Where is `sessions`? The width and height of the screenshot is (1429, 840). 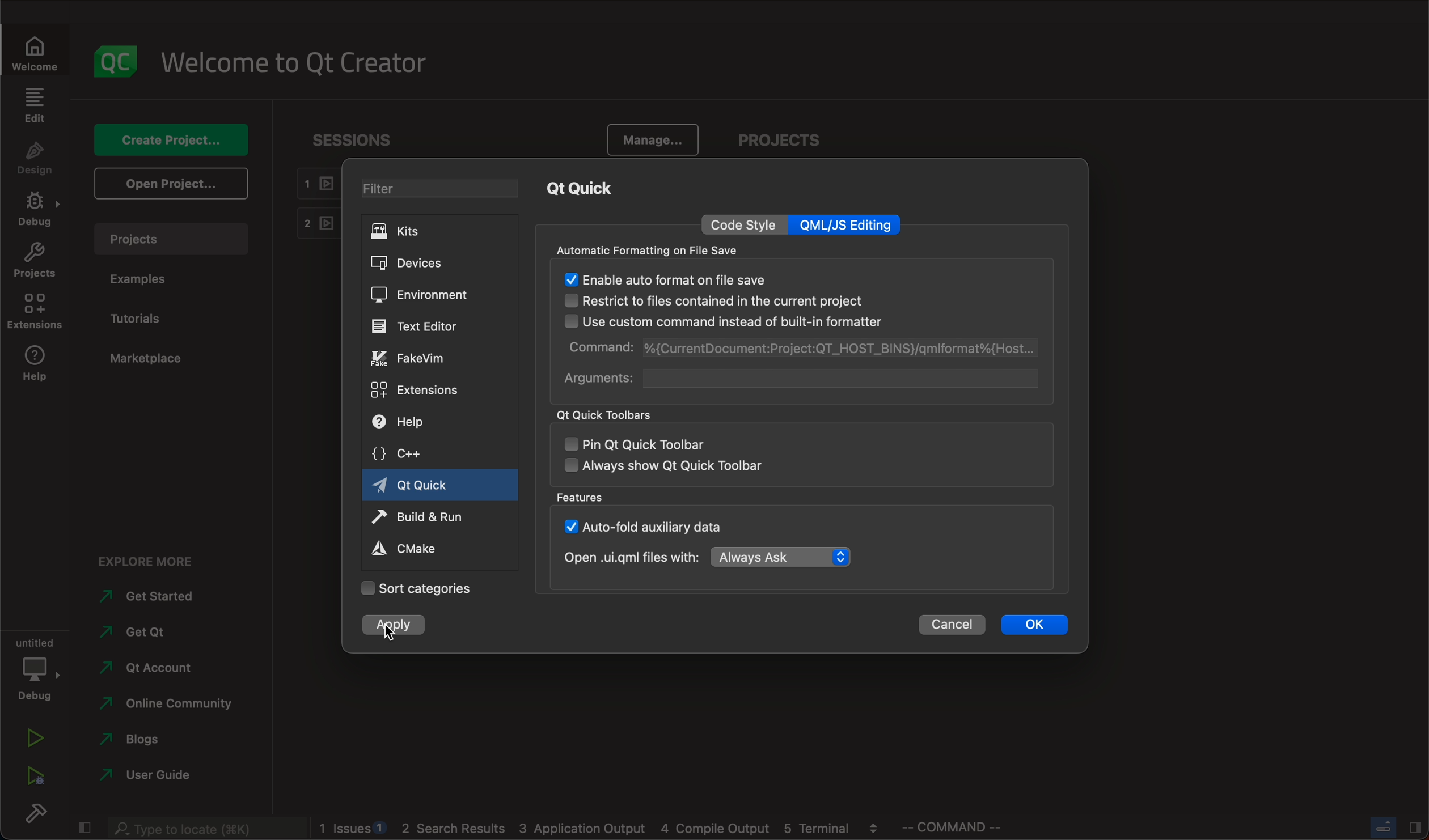
sessions is located at coordinates (357, 139).